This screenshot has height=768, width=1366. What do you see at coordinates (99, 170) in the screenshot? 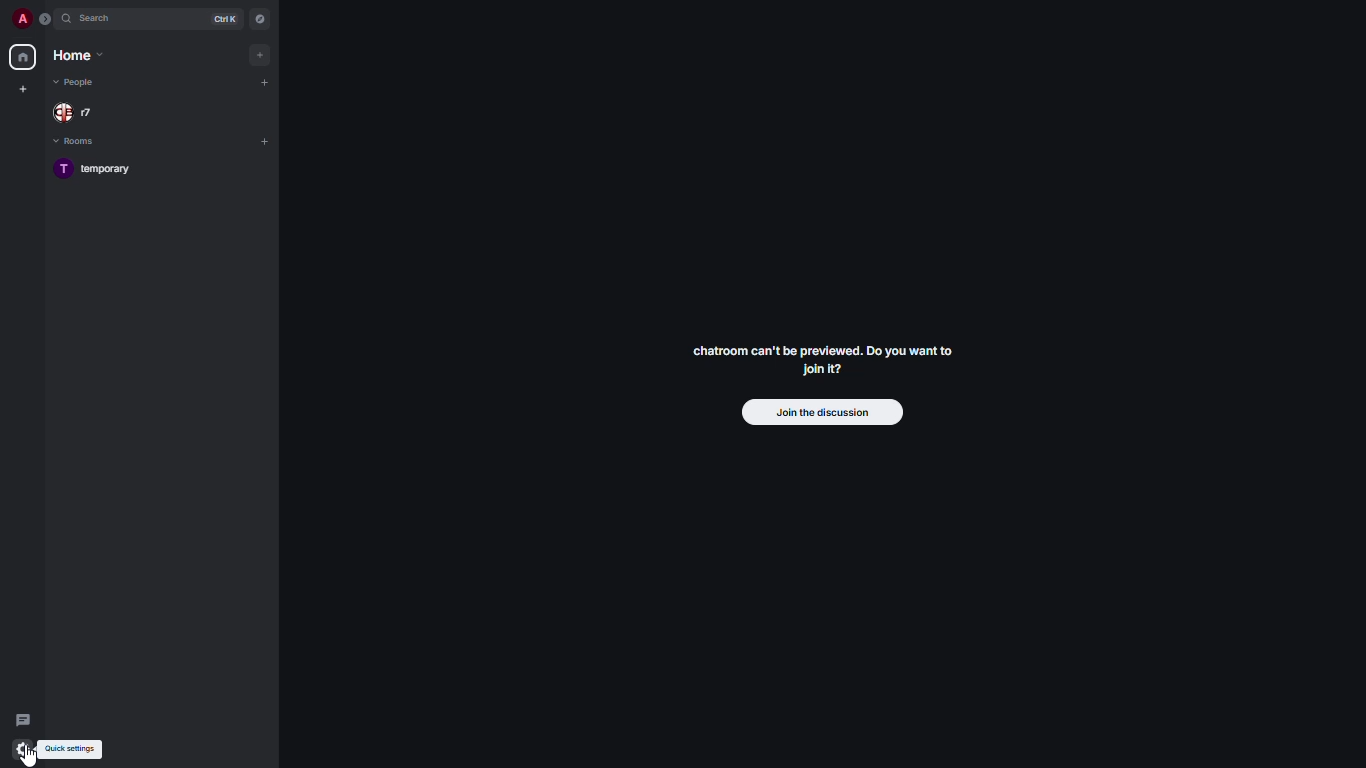
I see `room` at bounding box center [99, 170].